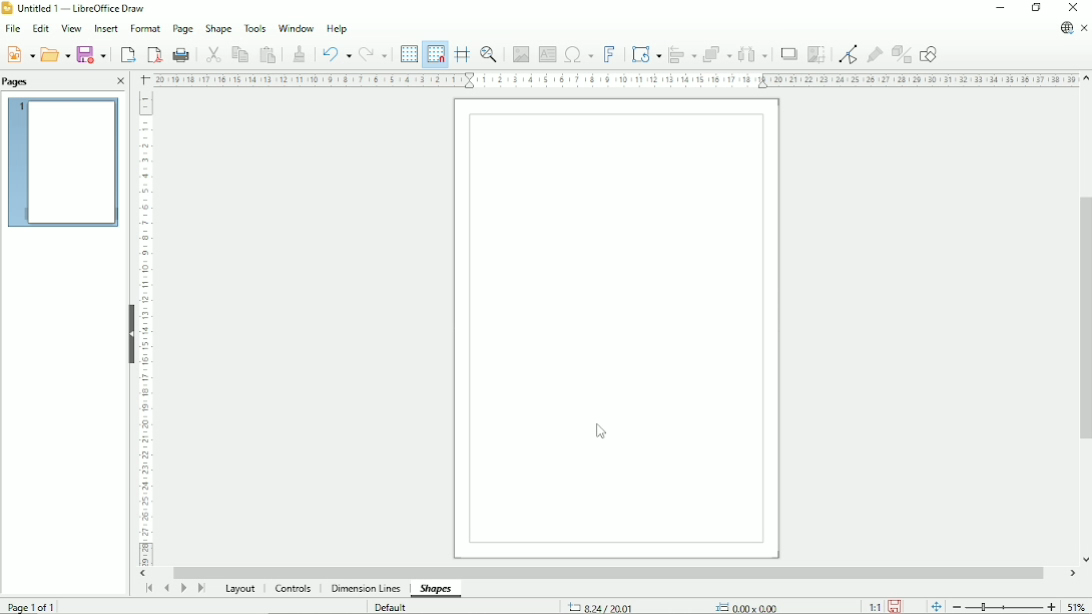 This screenshot has width=1092, height=614. I want to click on Hide, so click(130, 332).